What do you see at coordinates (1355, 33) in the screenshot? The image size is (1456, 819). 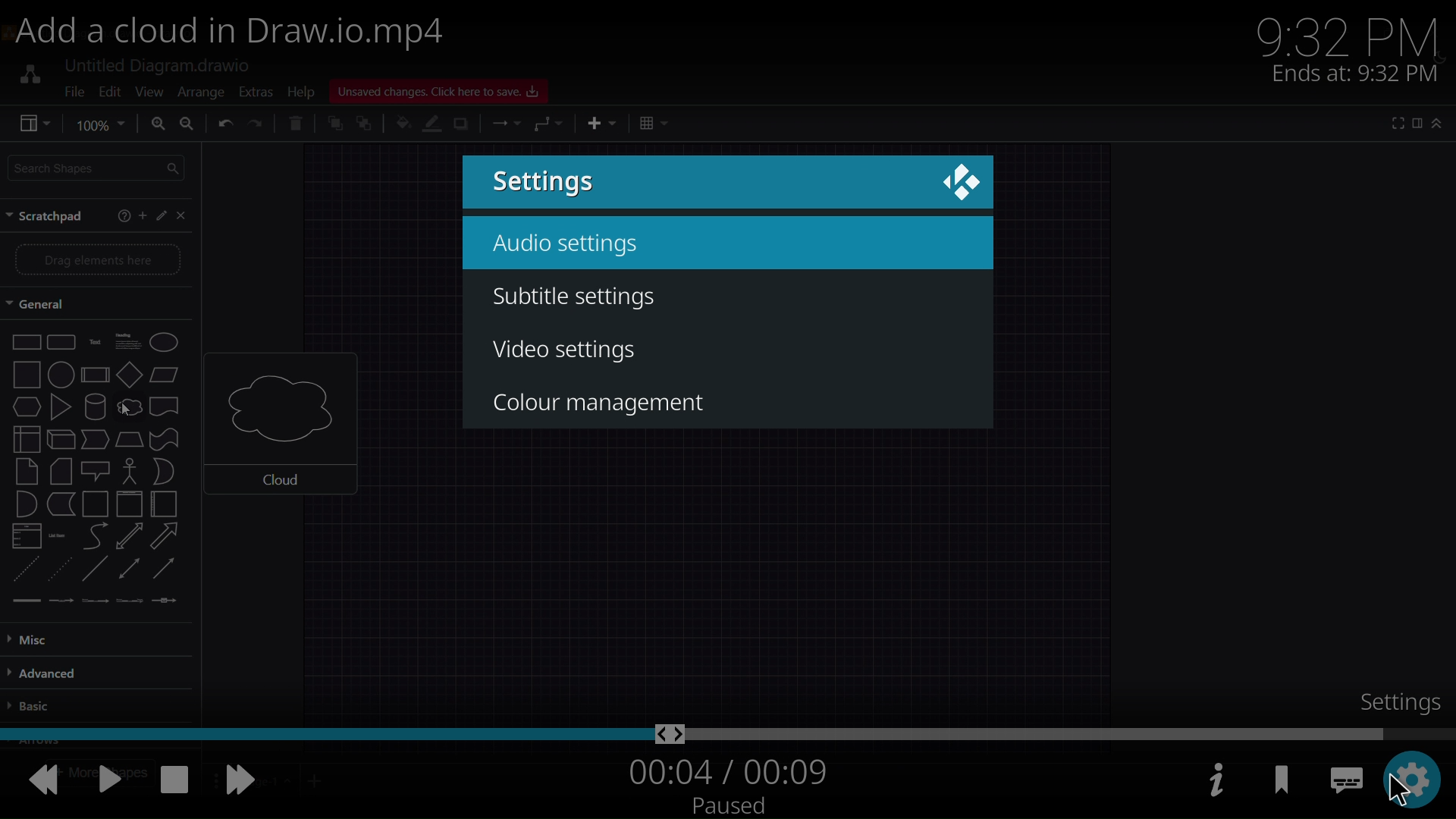 I see `9:32 PM` at bounding box center [1355, 33].